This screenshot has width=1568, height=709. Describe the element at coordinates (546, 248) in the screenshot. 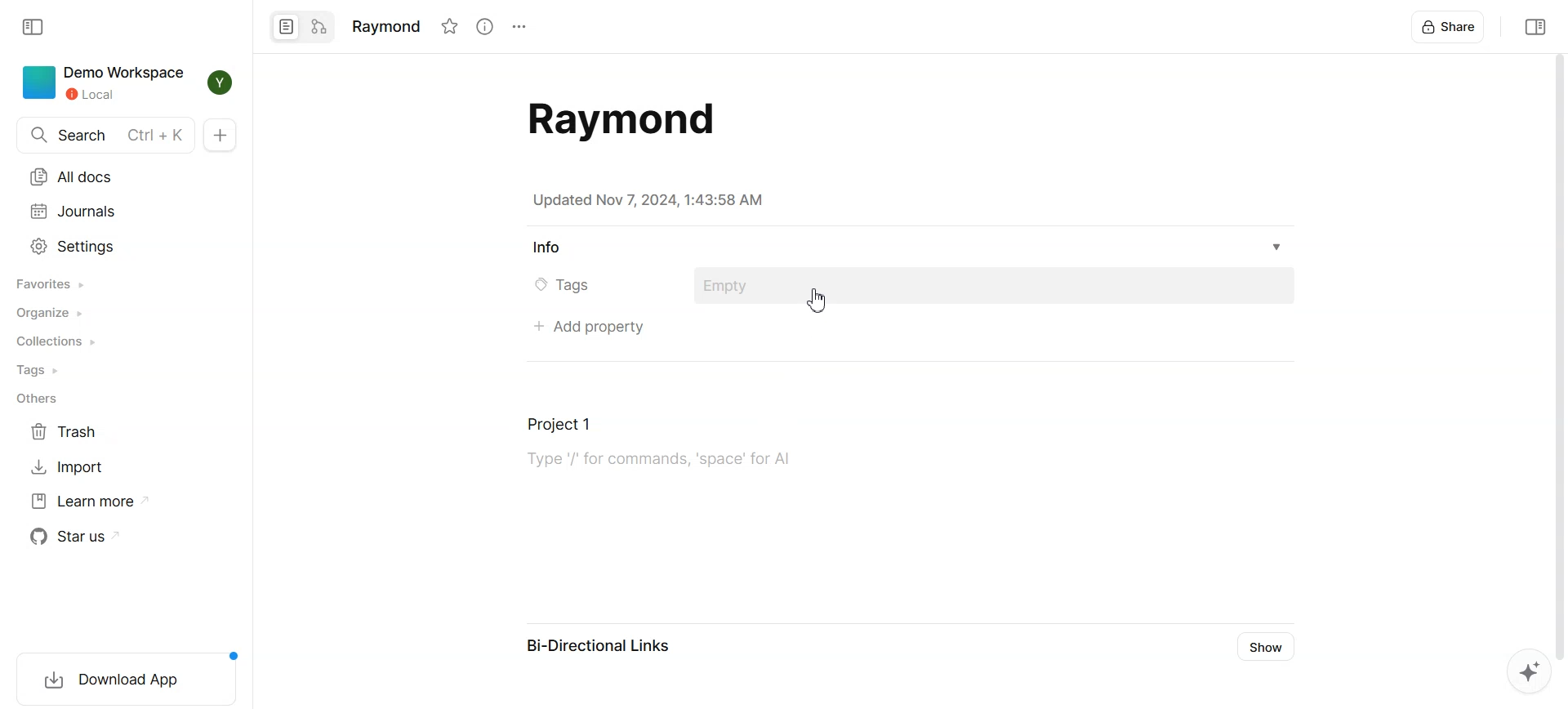

I see `Info` at that location.